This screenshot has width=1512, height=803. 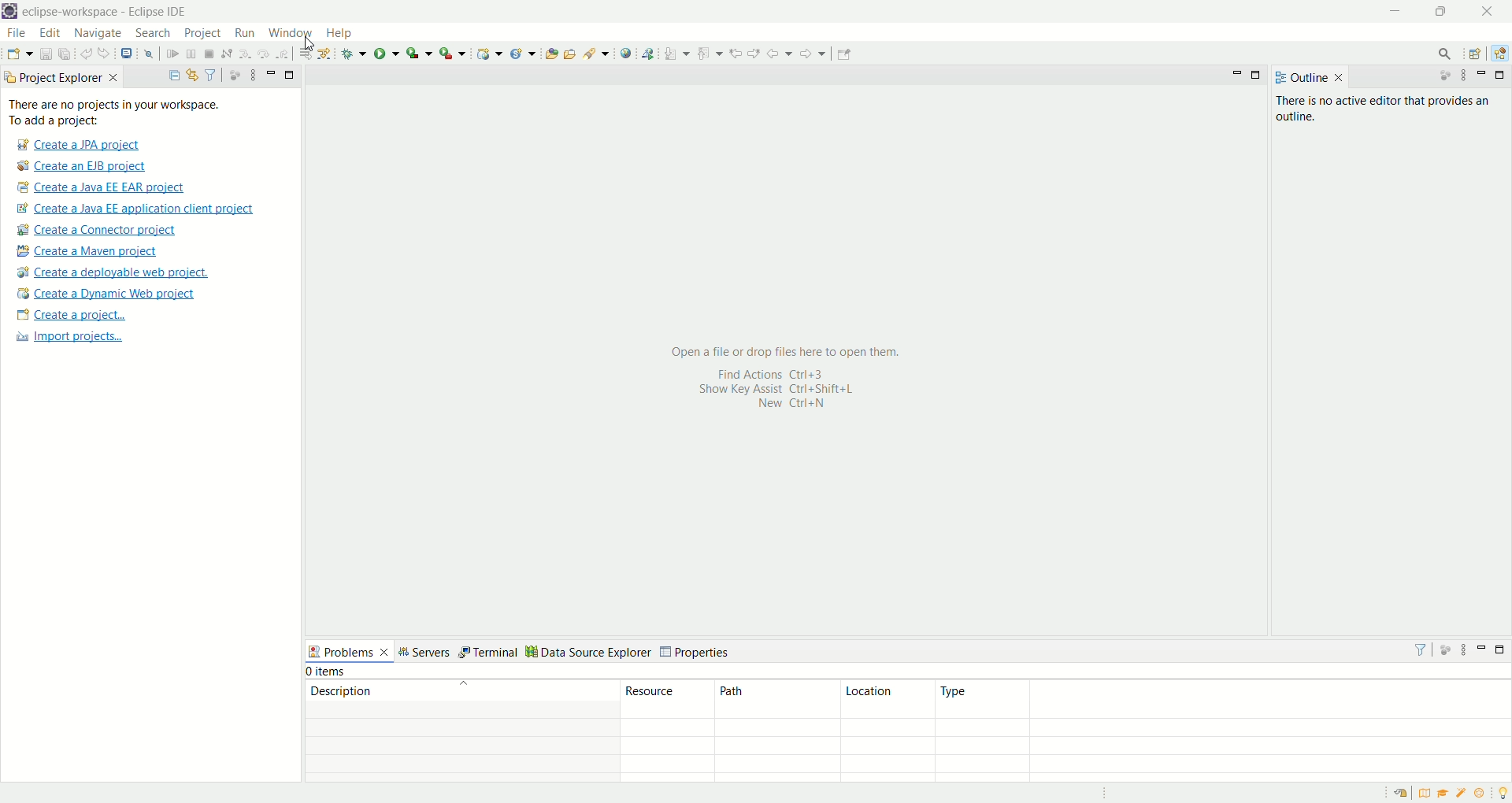 What do you see at coordinates (459, 690) in the screenshot?
I see `description` at bounding box center [459, 690].